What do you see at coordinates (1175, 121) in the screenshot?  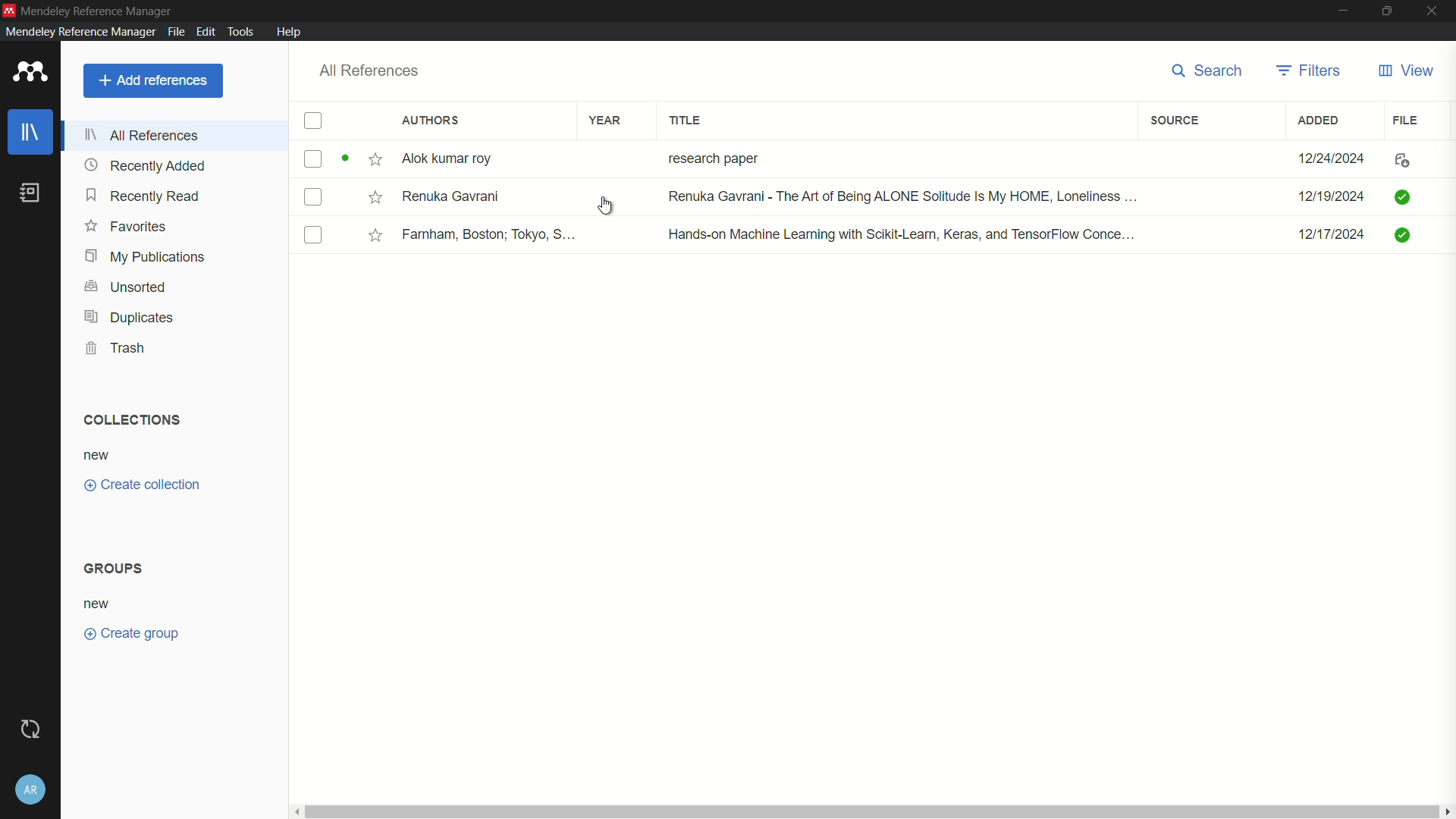 I see `source` at bounding box center [1175, 121].